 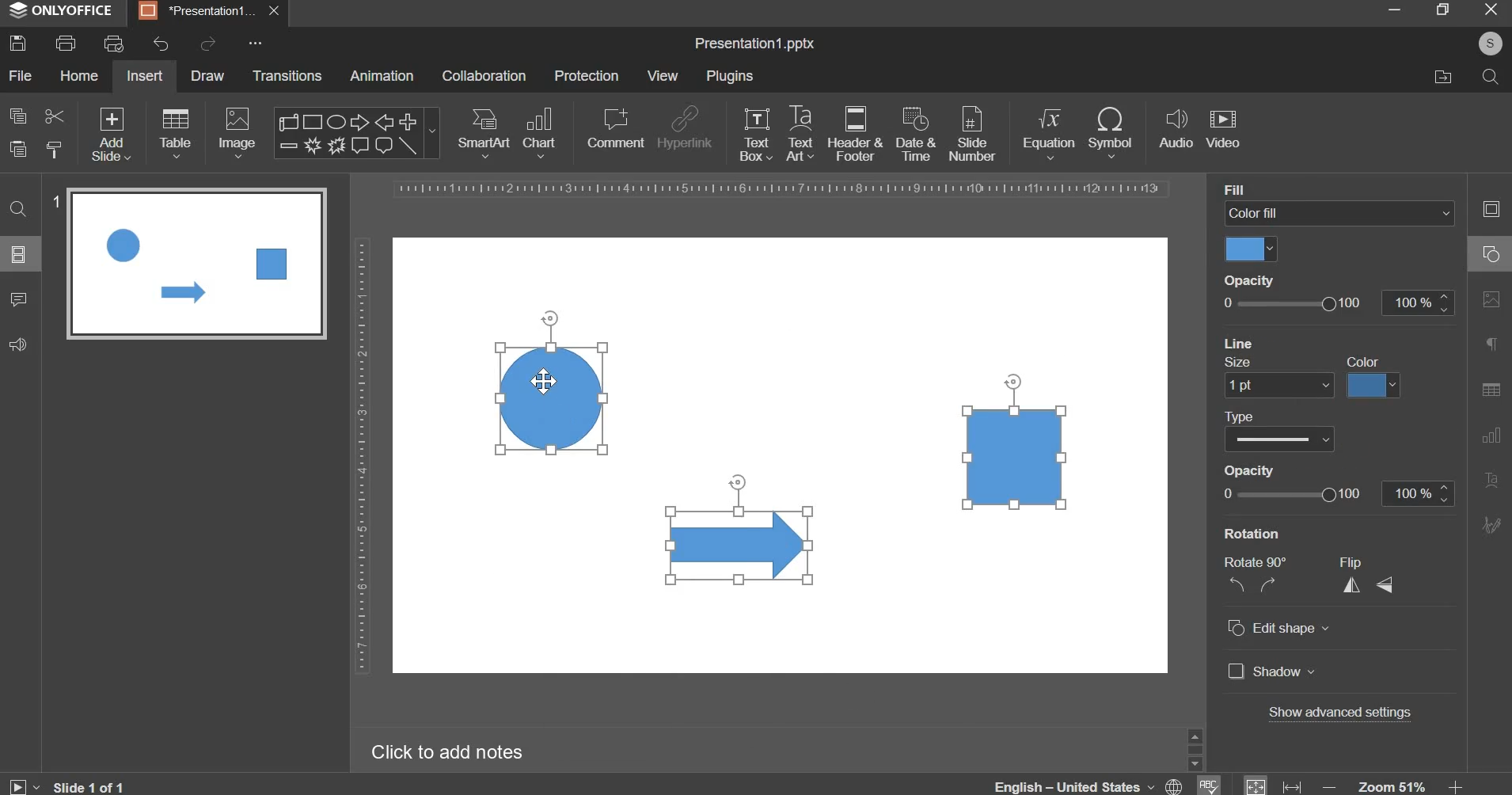 I want to click on color fill, so click(x=1252, y=249).